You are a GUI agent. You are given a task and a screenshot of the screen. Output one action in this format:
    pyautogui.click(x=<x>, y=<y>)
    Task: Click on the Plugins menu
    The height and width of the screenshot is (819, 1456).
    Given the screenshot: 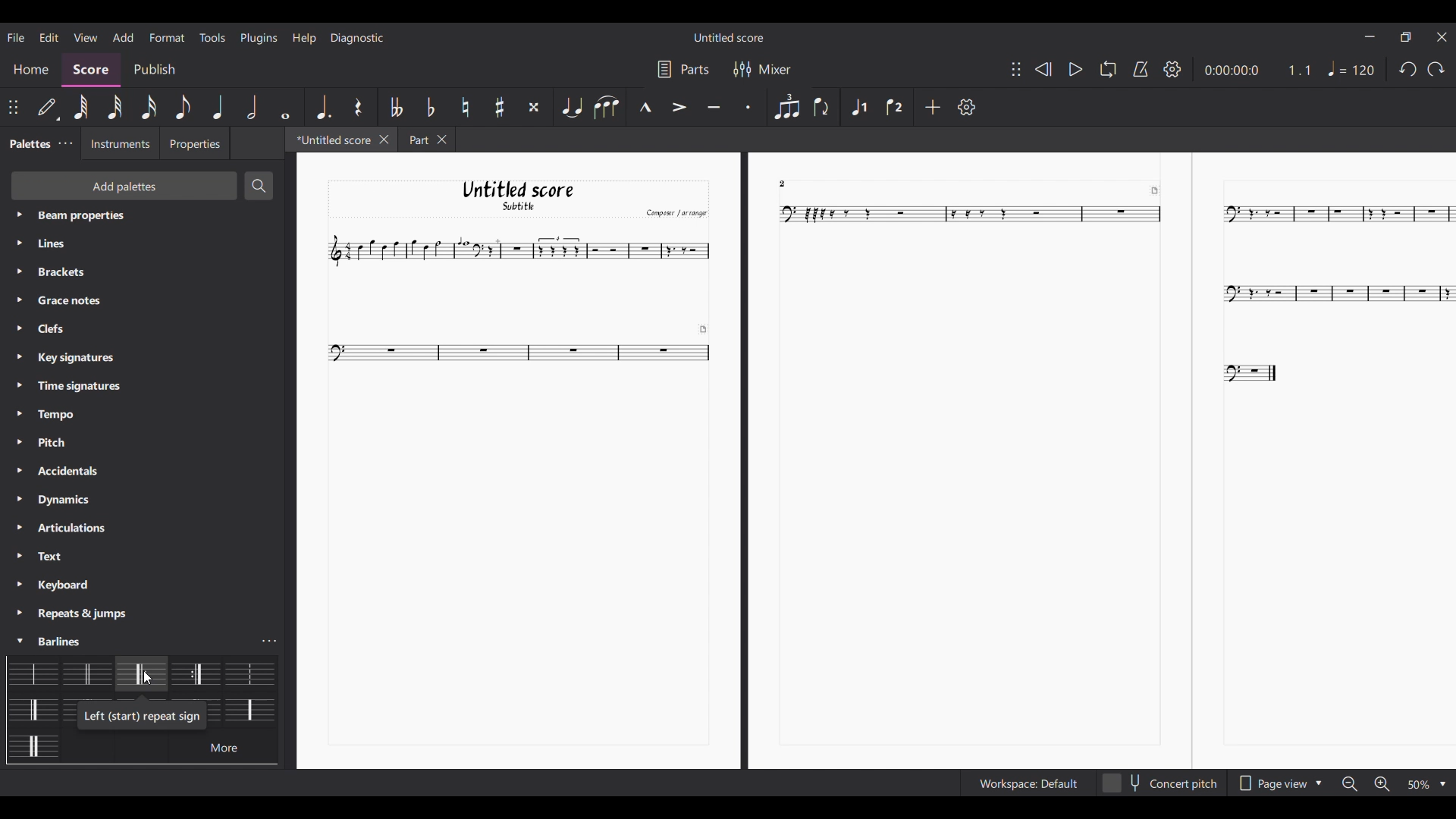 What is the action you would take?
    pyautogui.click(x=259, y=38)
    